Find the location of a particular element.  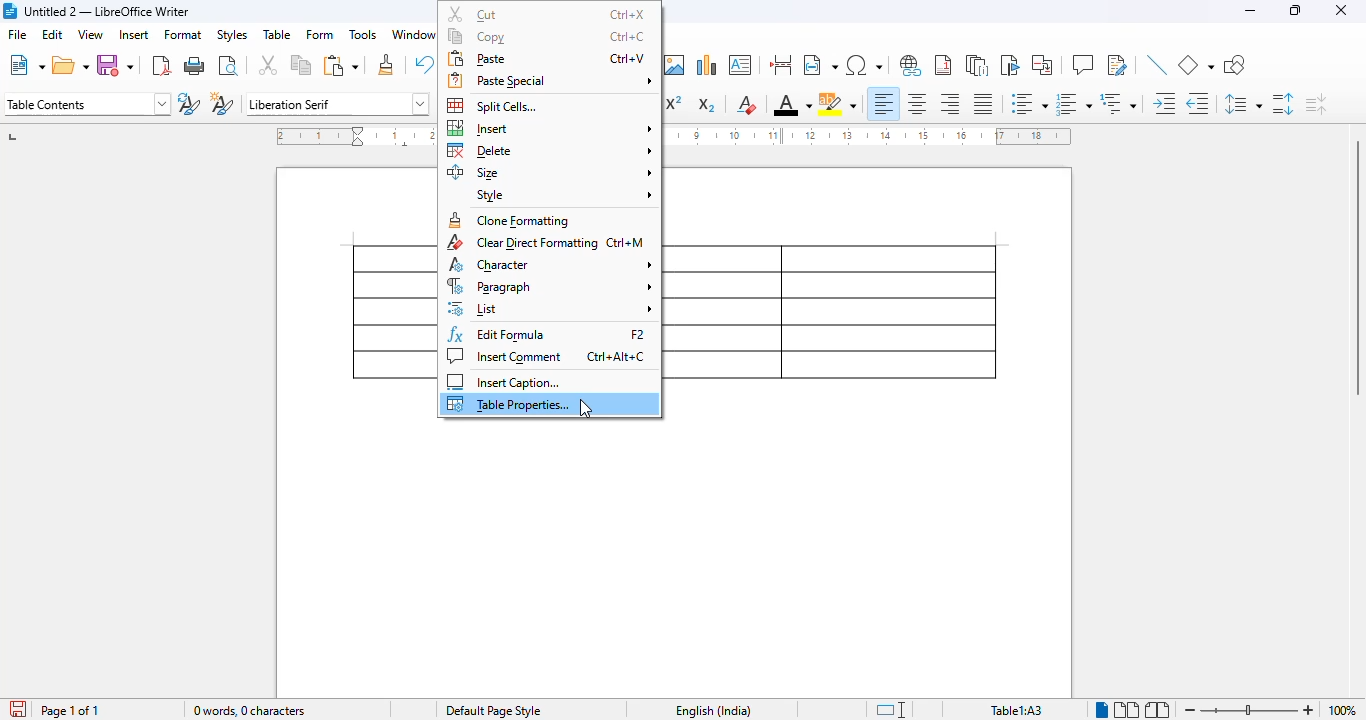

copy is located at coordinates (476, 37).